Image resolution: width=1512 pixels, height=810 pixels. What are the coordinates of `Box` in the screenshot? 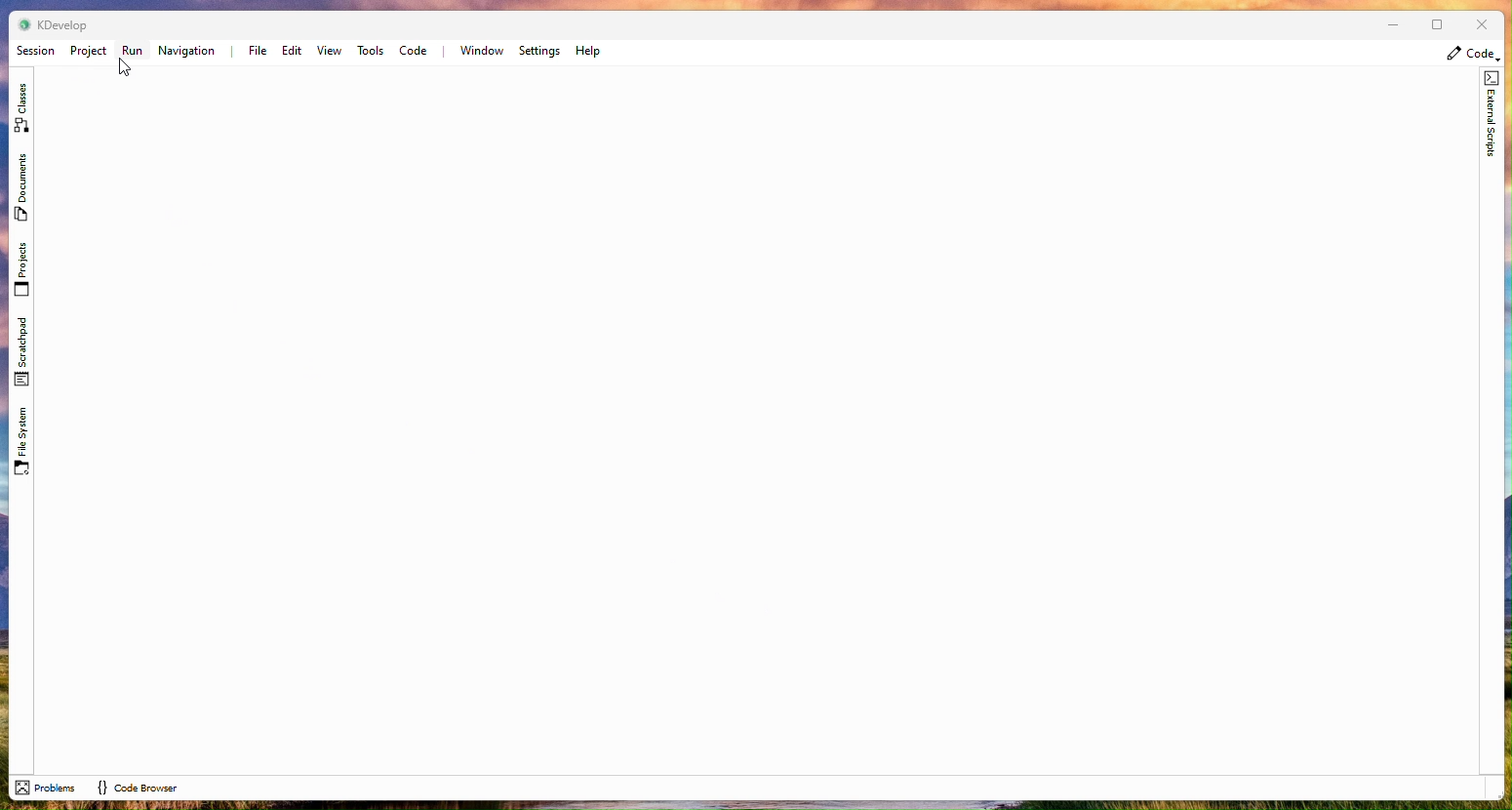 It's located at (1435, 24).